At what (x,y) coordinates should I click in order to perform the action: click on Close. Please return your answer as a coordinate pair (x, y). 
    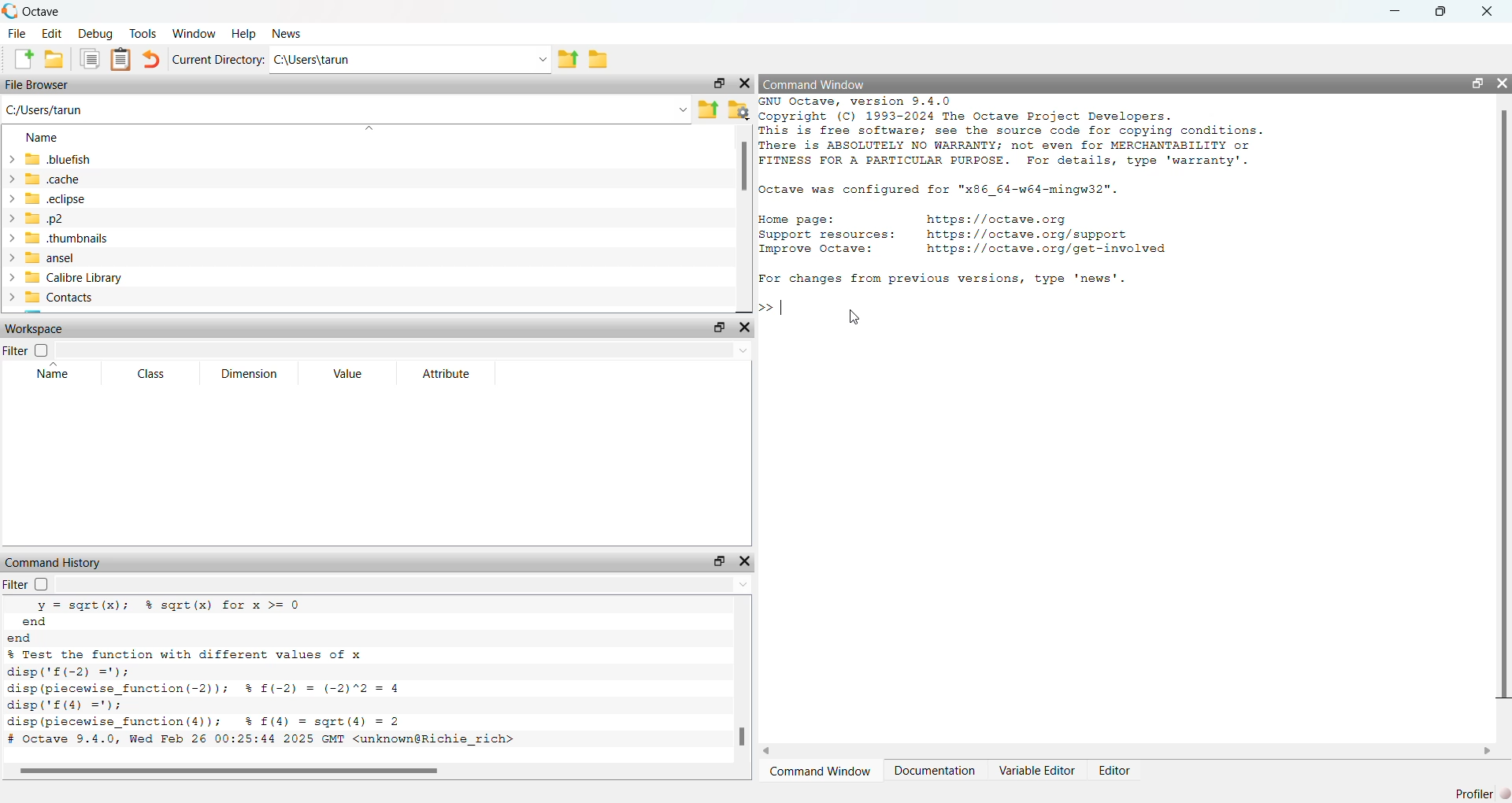
    Looking at the image, I should click on (750, 328).